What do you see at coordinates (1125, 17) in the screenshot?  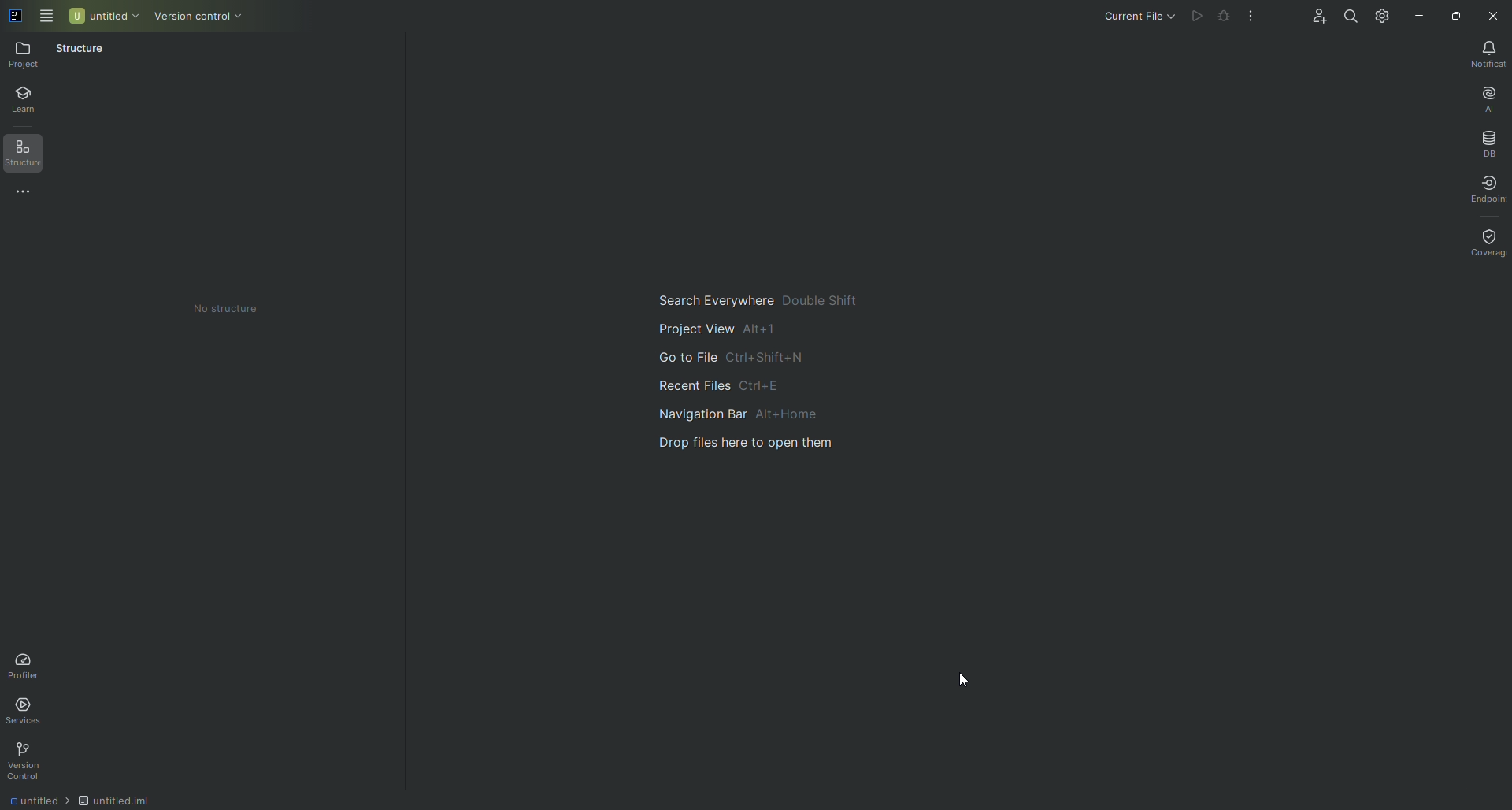 I see `Current File` at bounding box center [1125, 17].